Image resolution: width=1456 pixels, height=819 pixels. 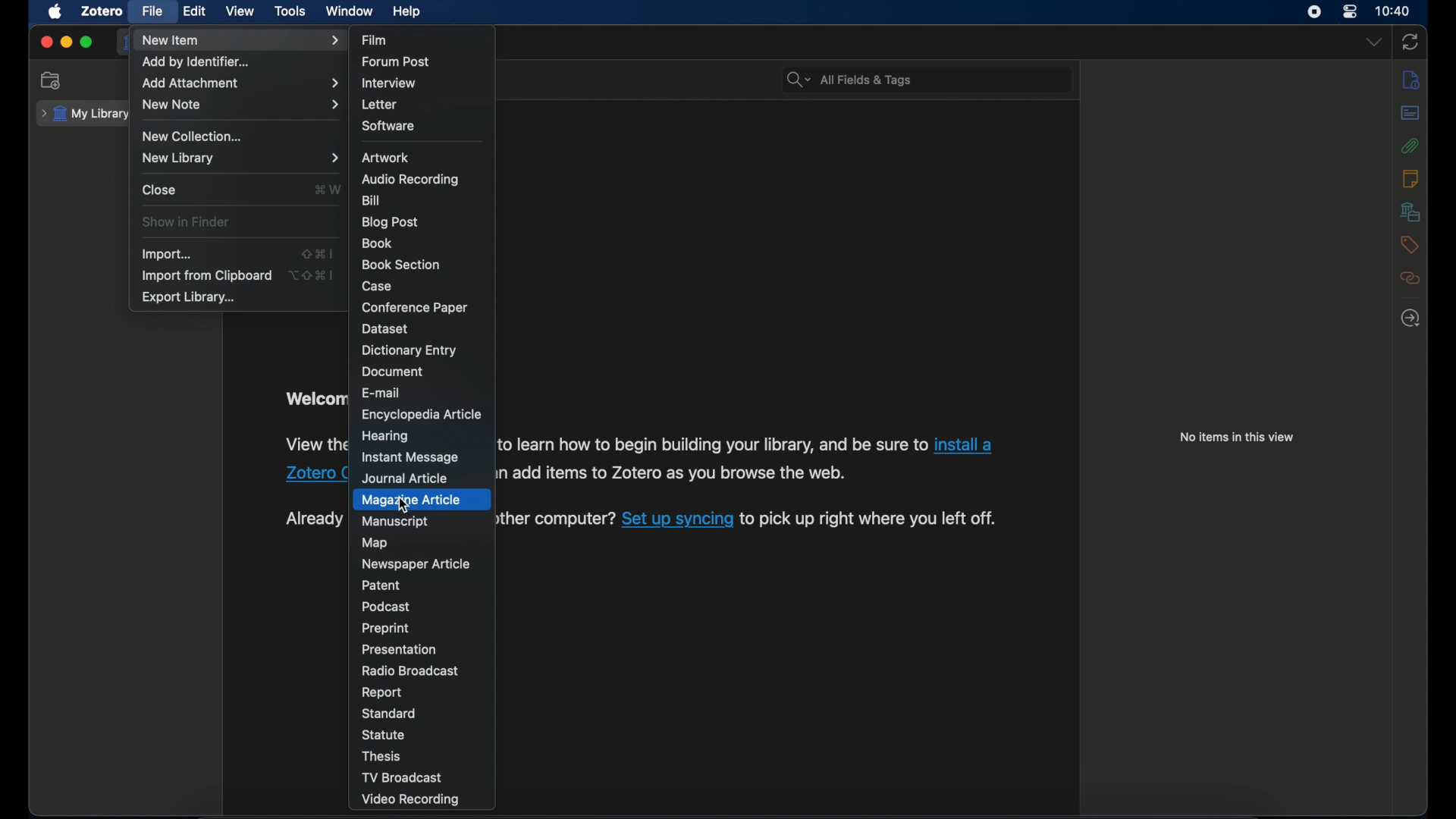 I want to click on apple, so click(x=55, y=12).